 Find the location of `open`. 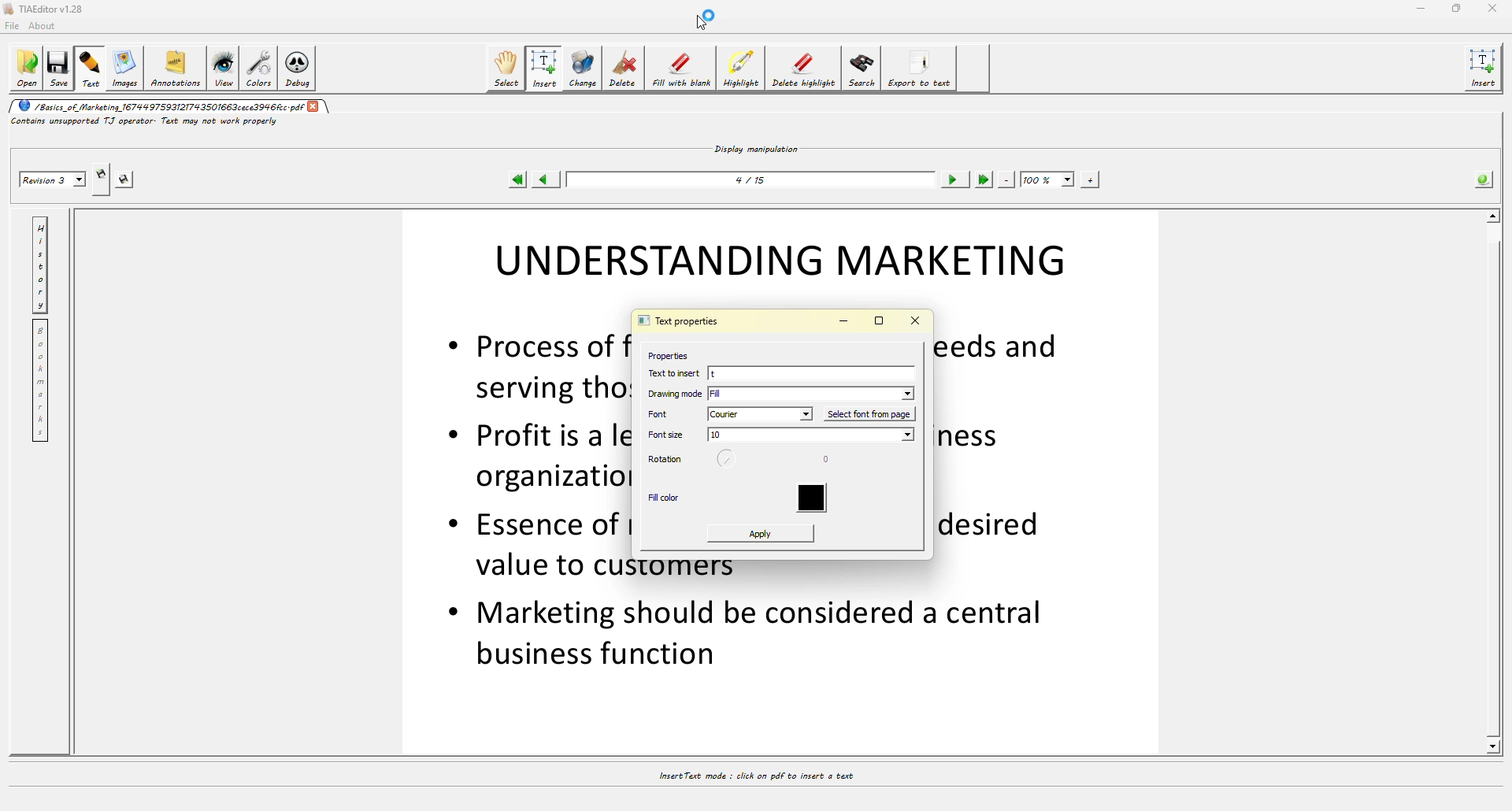

open is located at coordinates (28, 69).